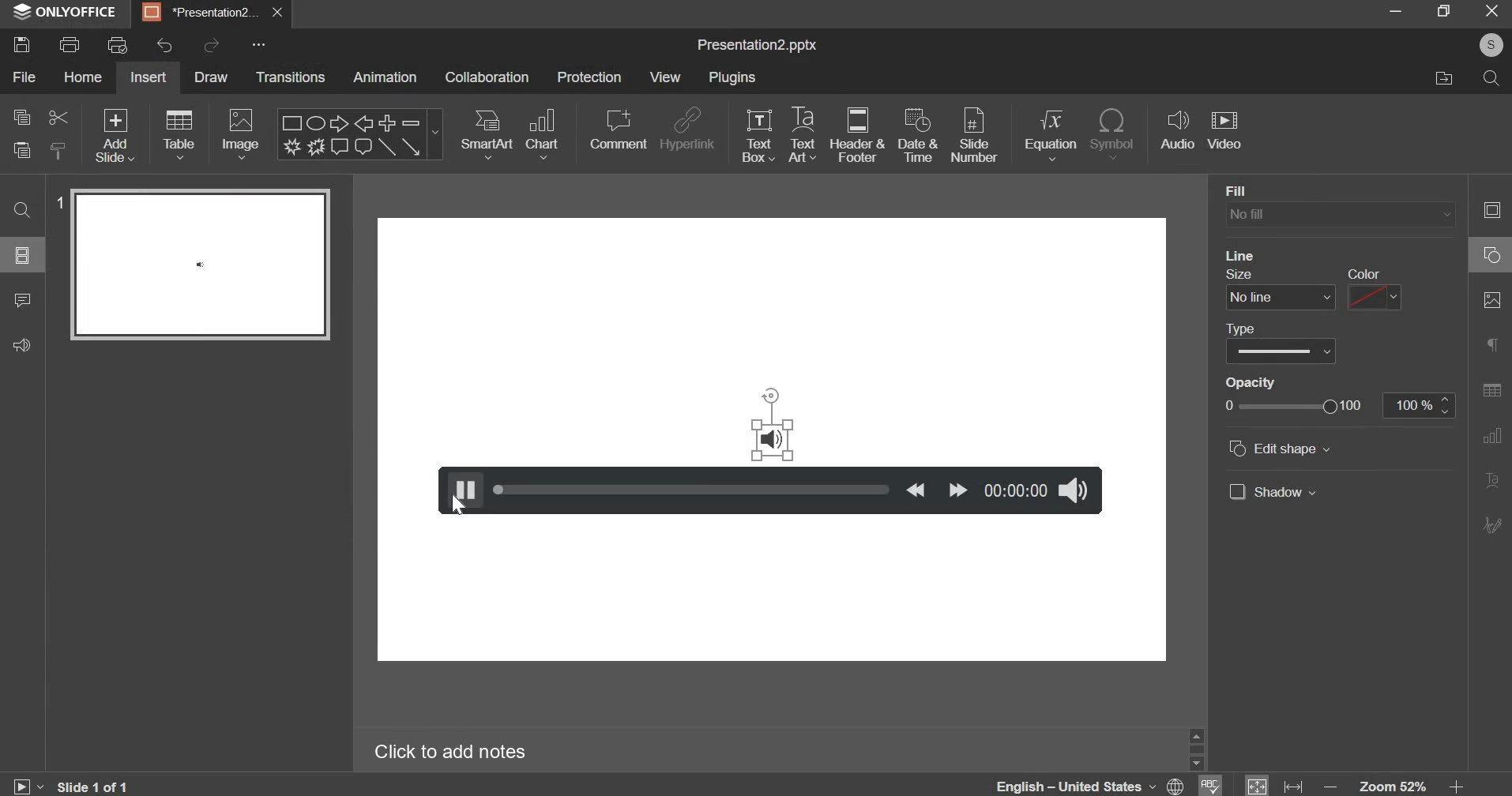 The height and width of the screenshot is (796, 1512). Describe the element at coordinates (1281, 298) in the screenshot. I see `line size` at that location.